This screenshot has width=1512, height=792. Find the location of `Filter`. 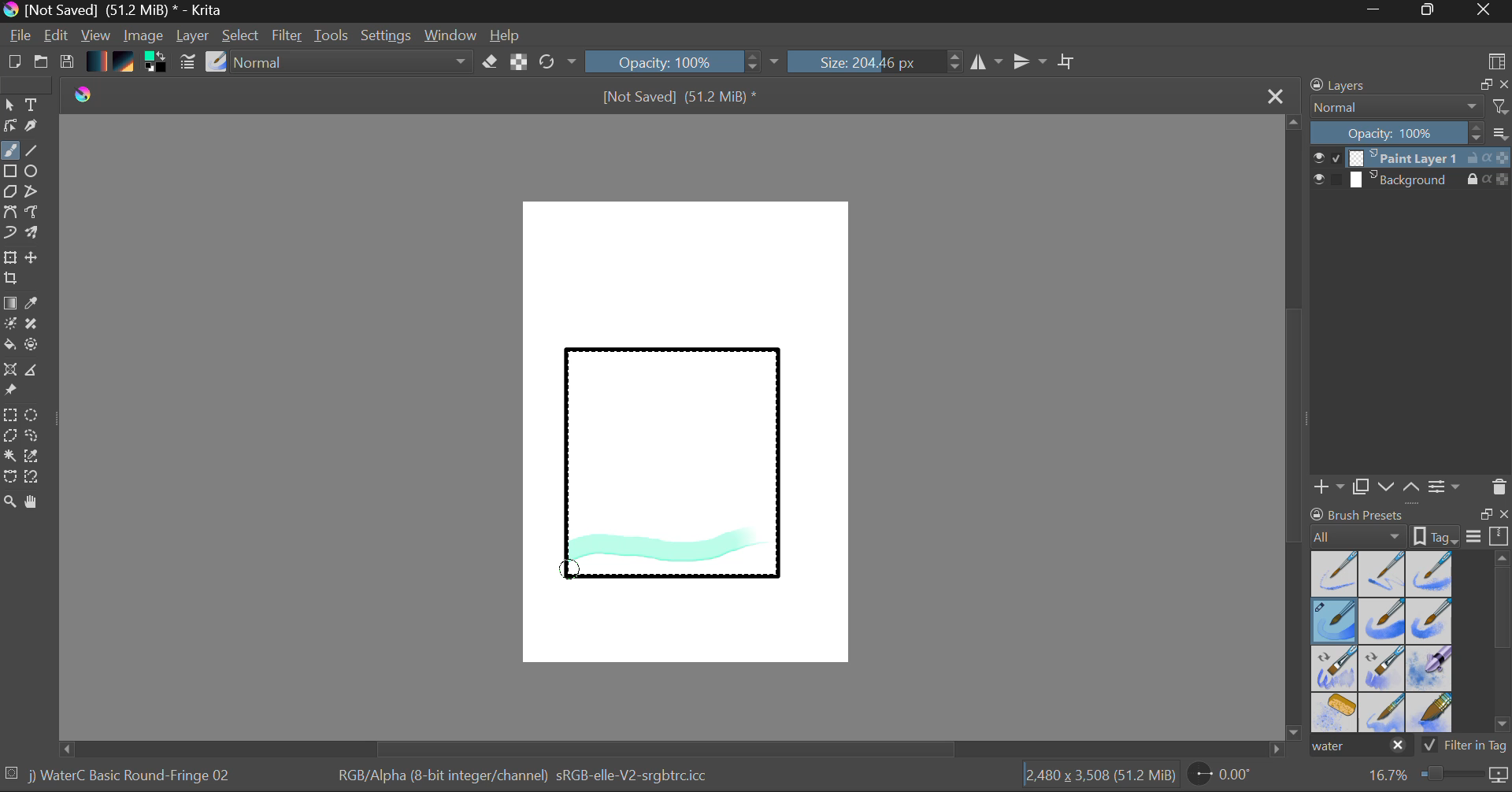

Filter is located at coordinates (289, 38).